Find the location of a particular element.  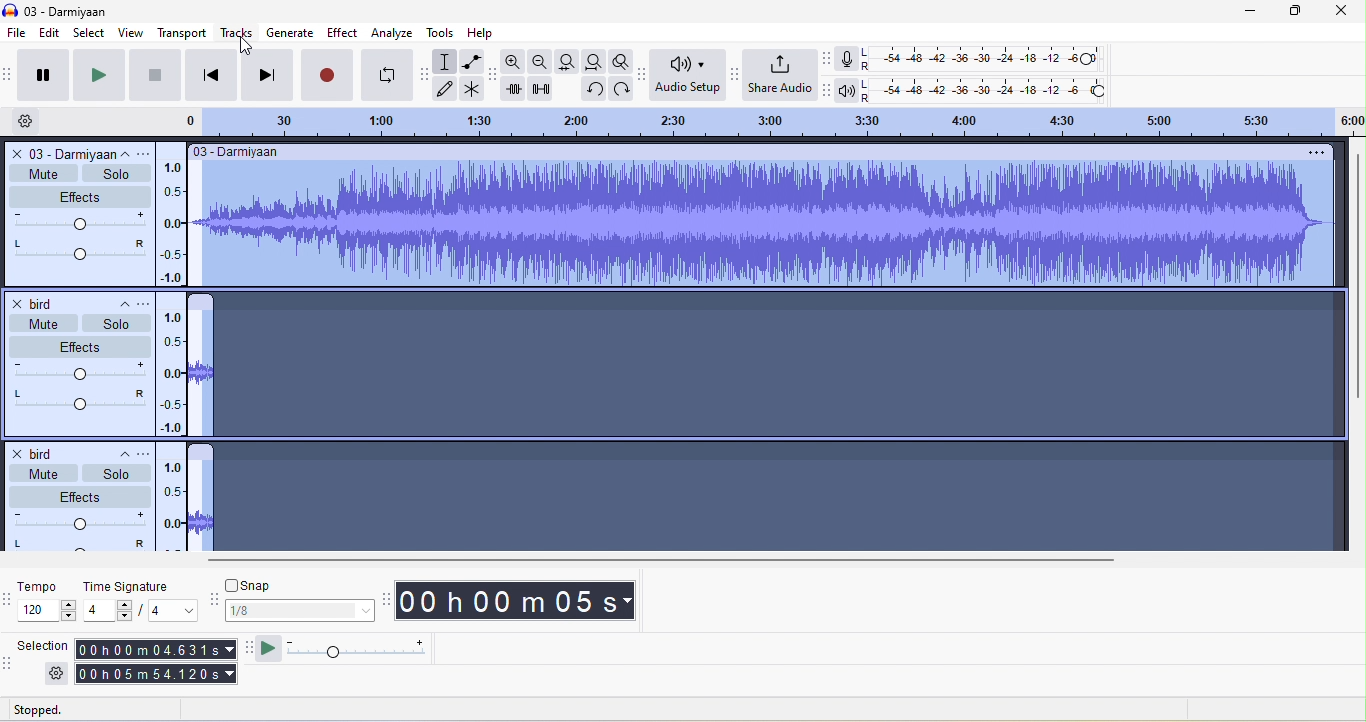

audacity selection toolbar is located at coordinates (9, 668).